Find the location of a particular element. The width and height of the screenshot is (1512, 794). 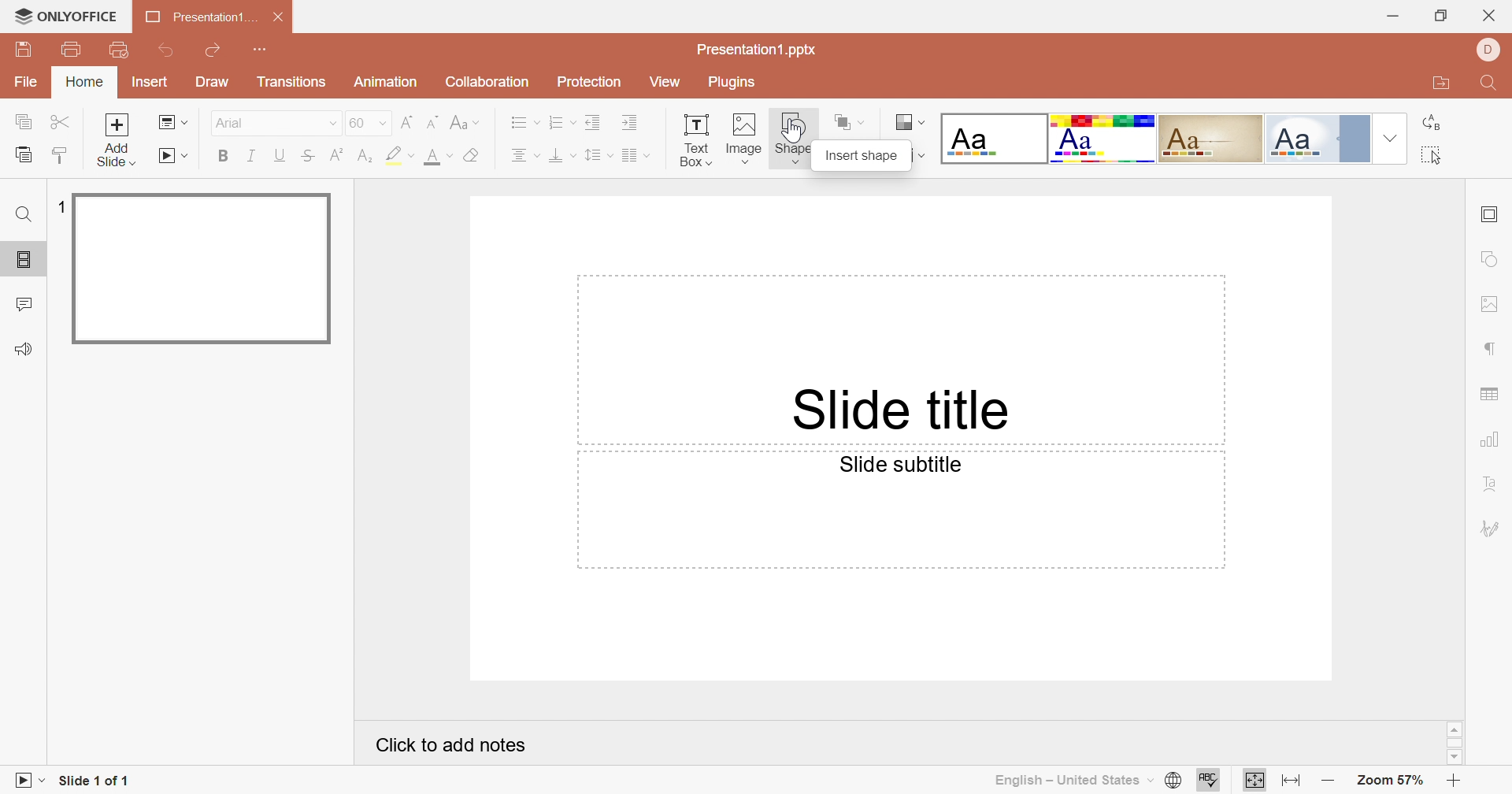

DELL is located at coordinates (1487, 50).